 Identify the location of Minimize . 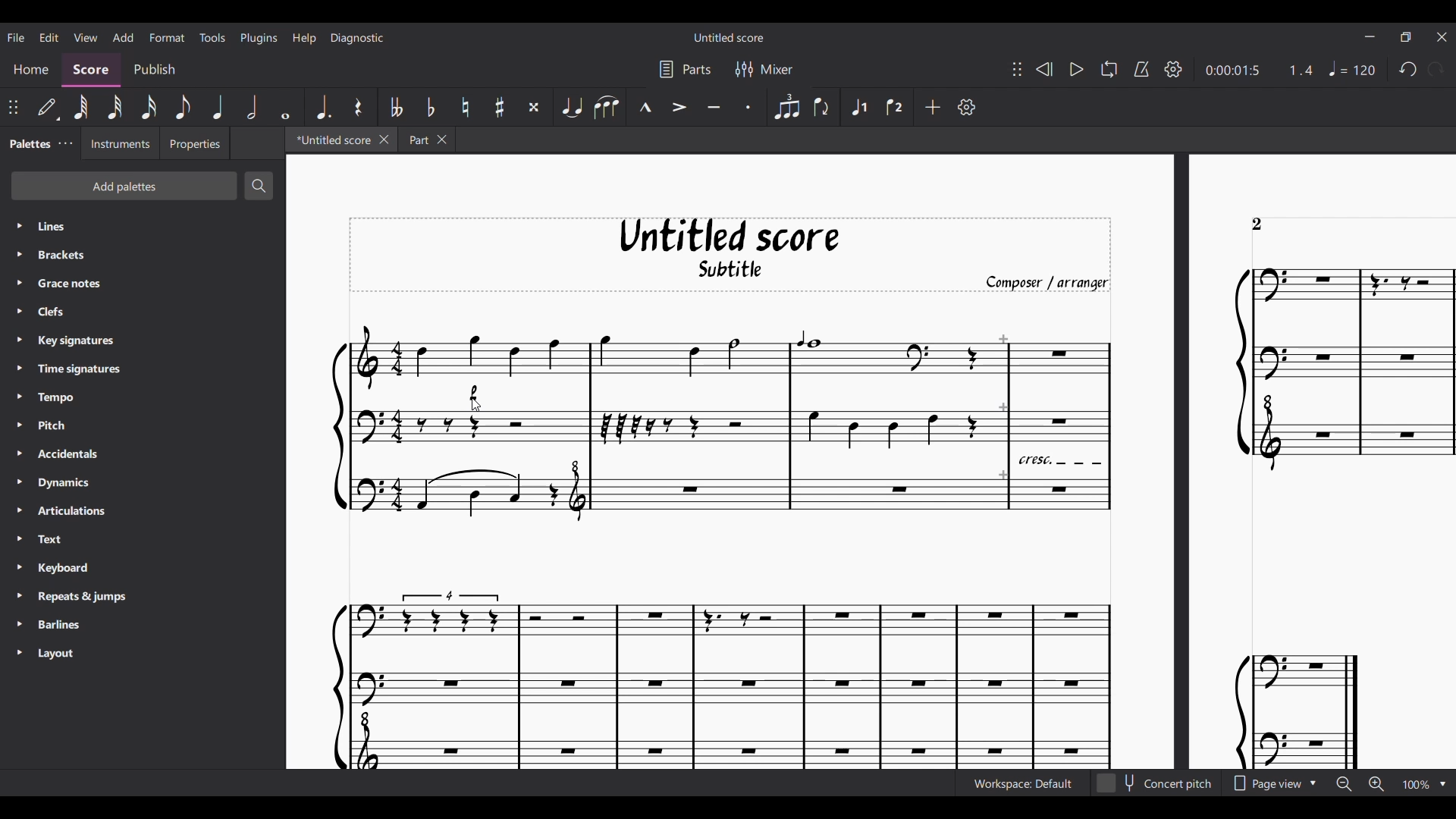
(1370, 36).